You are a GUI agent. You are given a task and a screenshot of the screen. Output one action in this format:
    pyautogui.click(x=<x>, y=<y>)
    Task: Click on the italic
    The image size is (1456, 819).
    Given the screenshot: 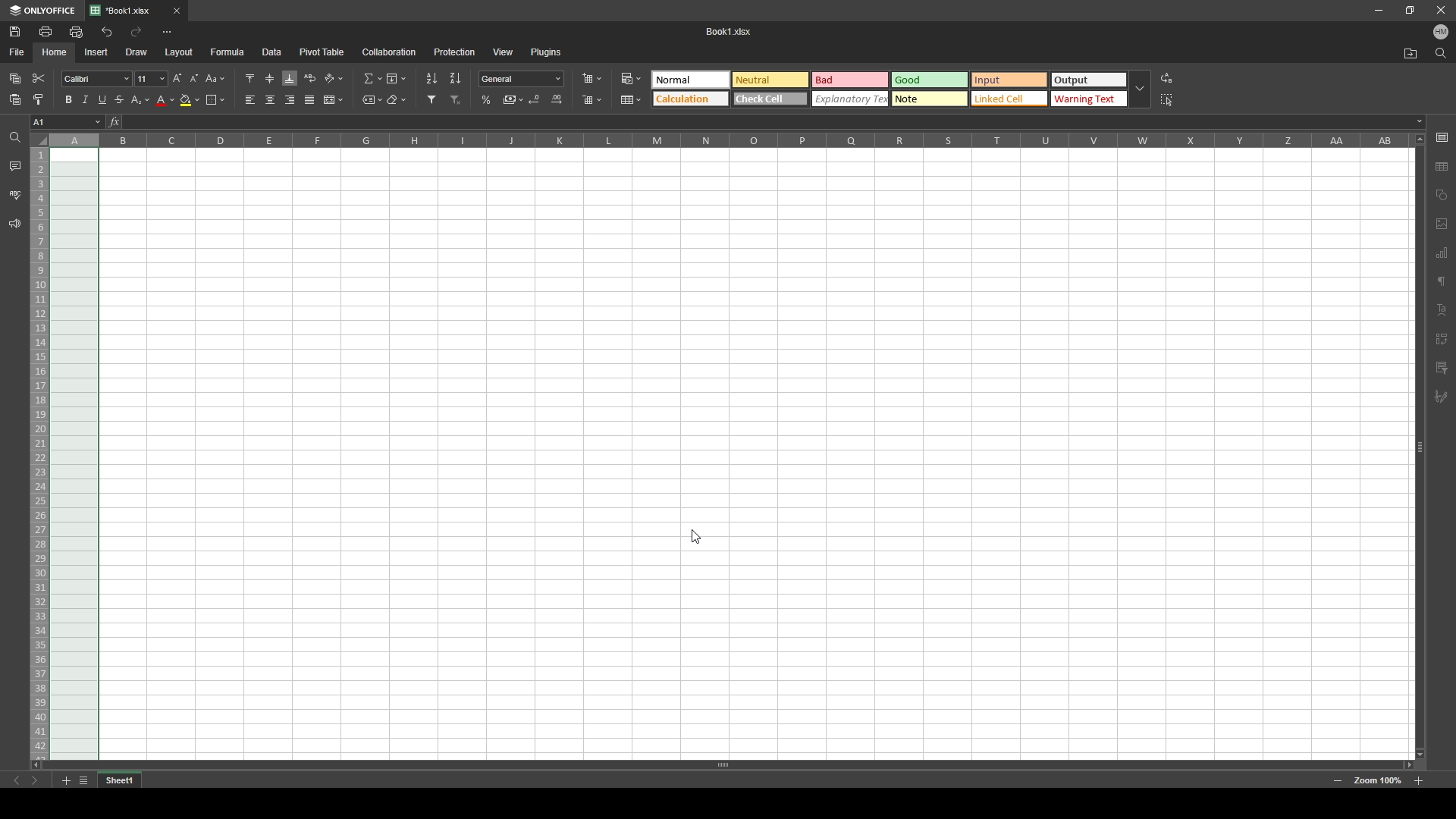 What is the action you would take?
    pyautogui.click(x=85, y=99)
    